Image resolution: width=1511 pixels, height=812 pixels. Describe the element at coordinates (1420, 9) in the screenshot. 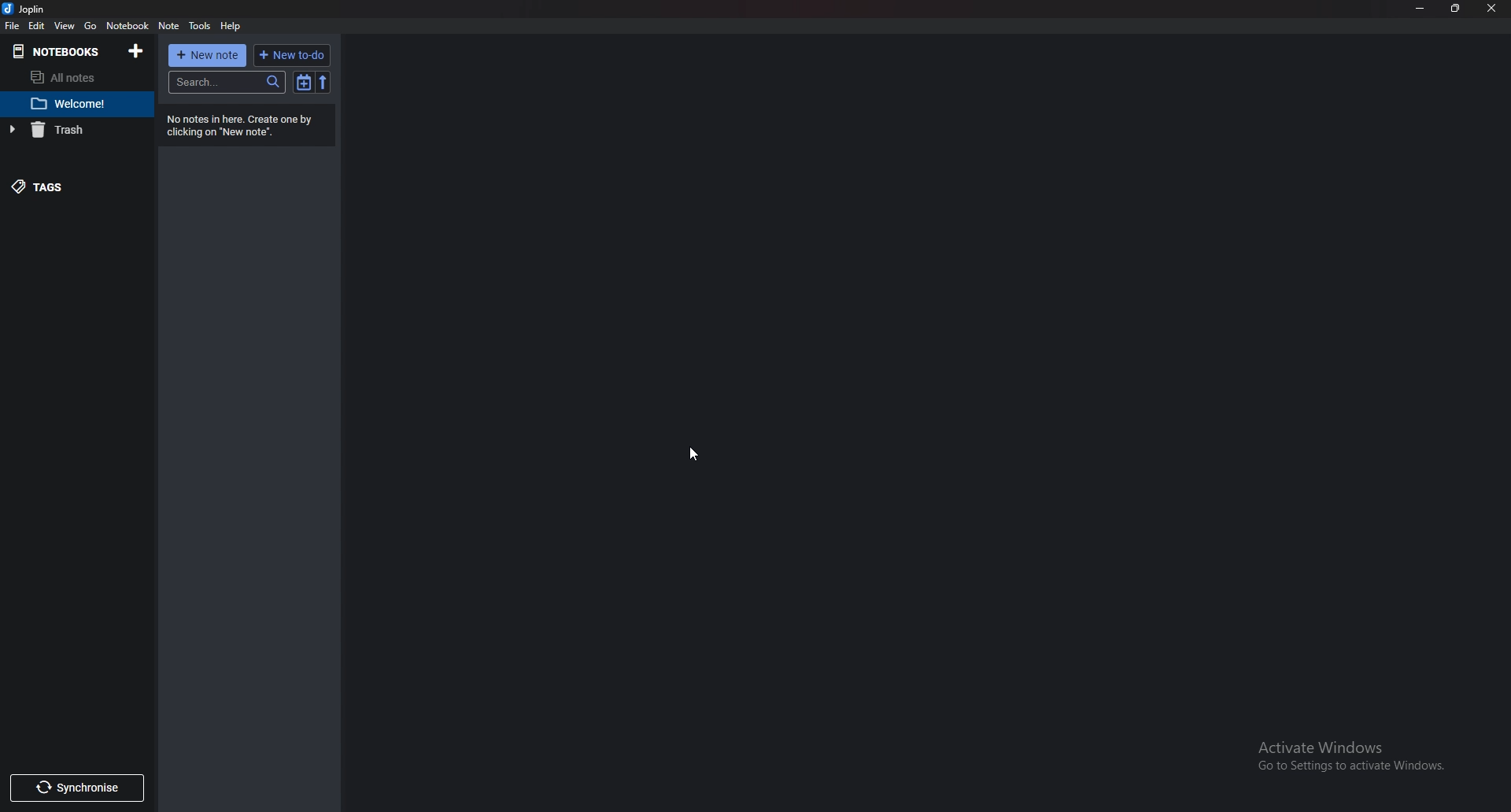

I see `Minimize` at that location.